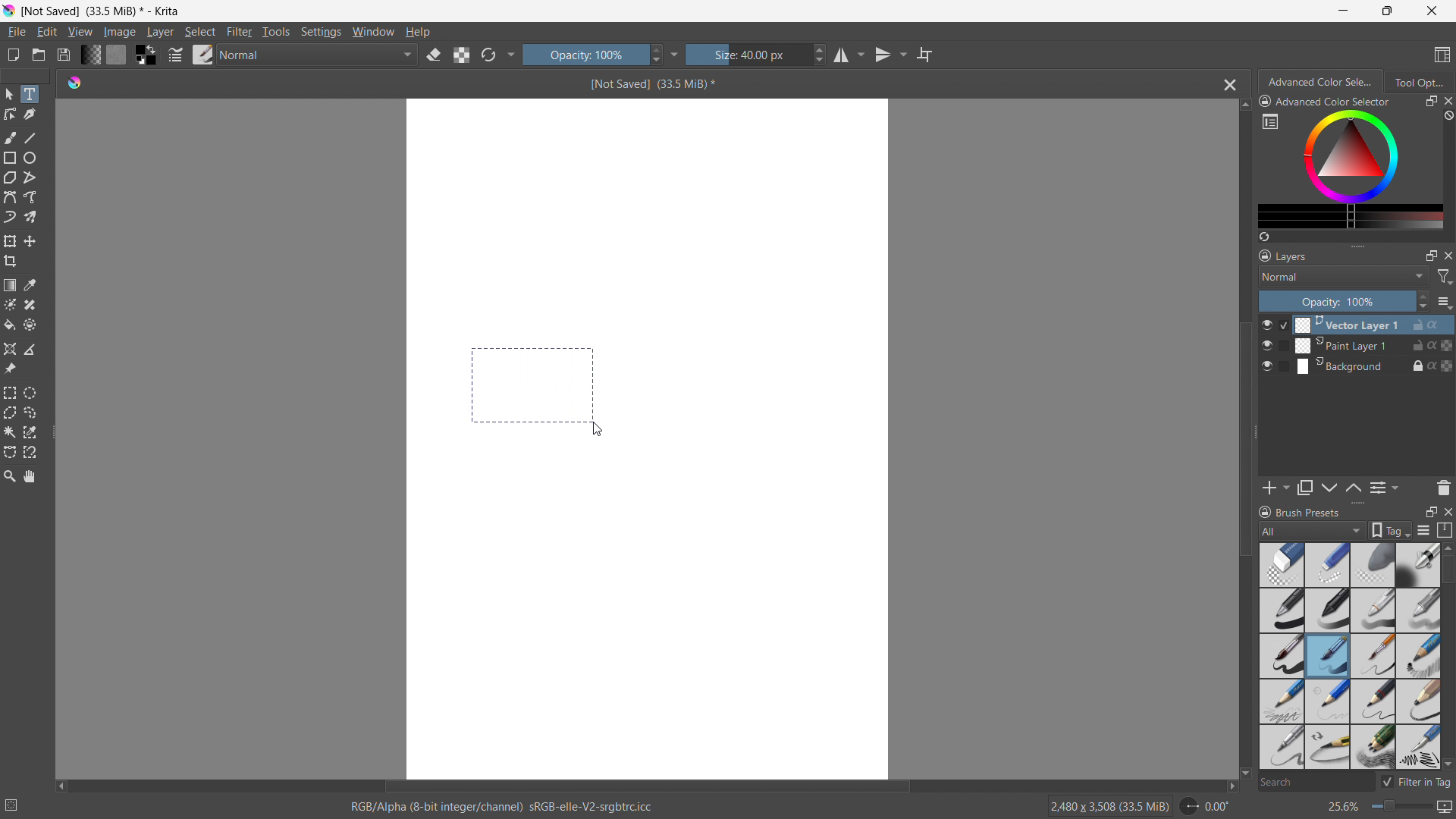 This screenshot has height=819, width=1456. I want to click on open, so click(39, 55).